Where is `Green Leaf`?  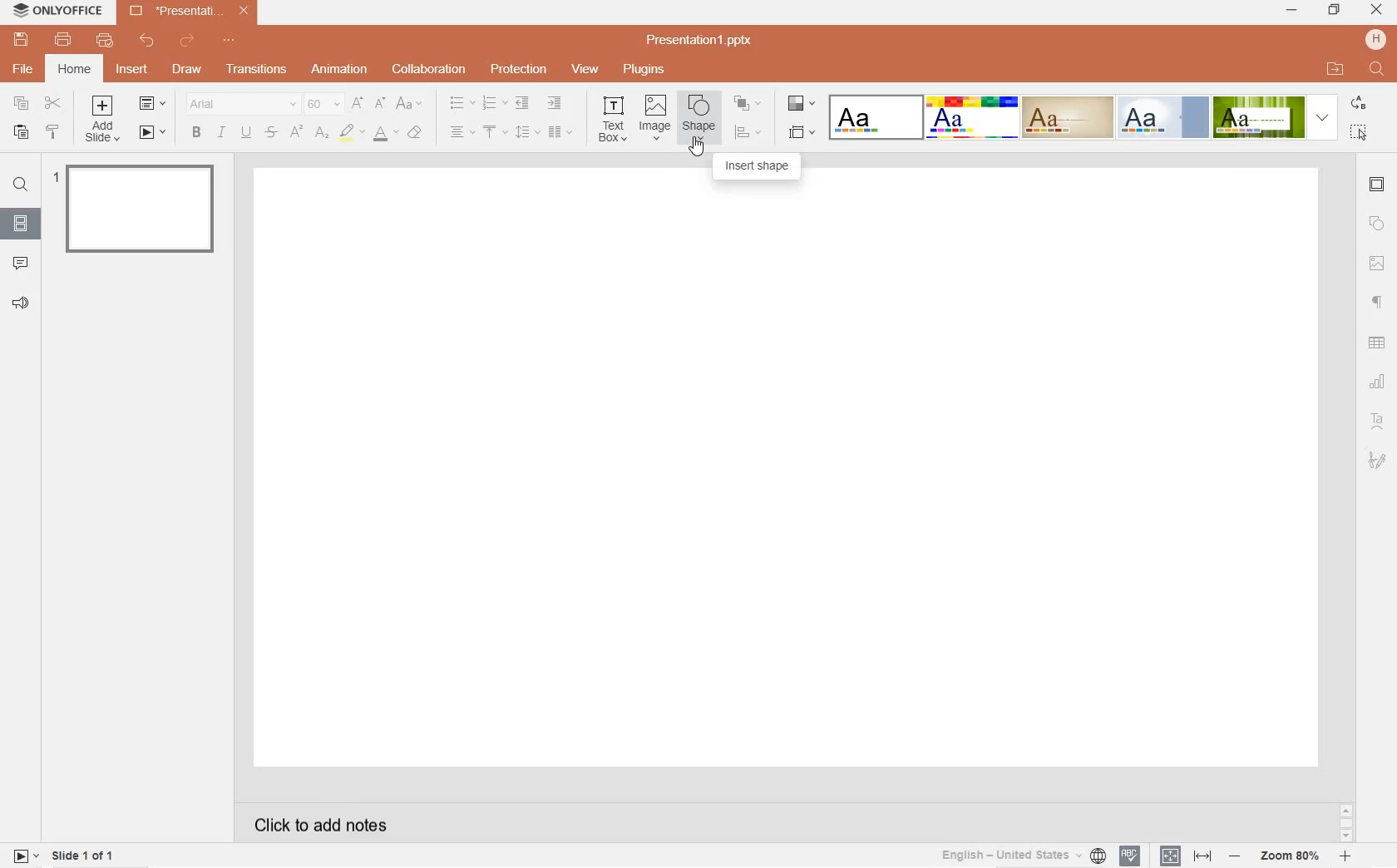 Green Leaf is located at coordinates (1258, 116).